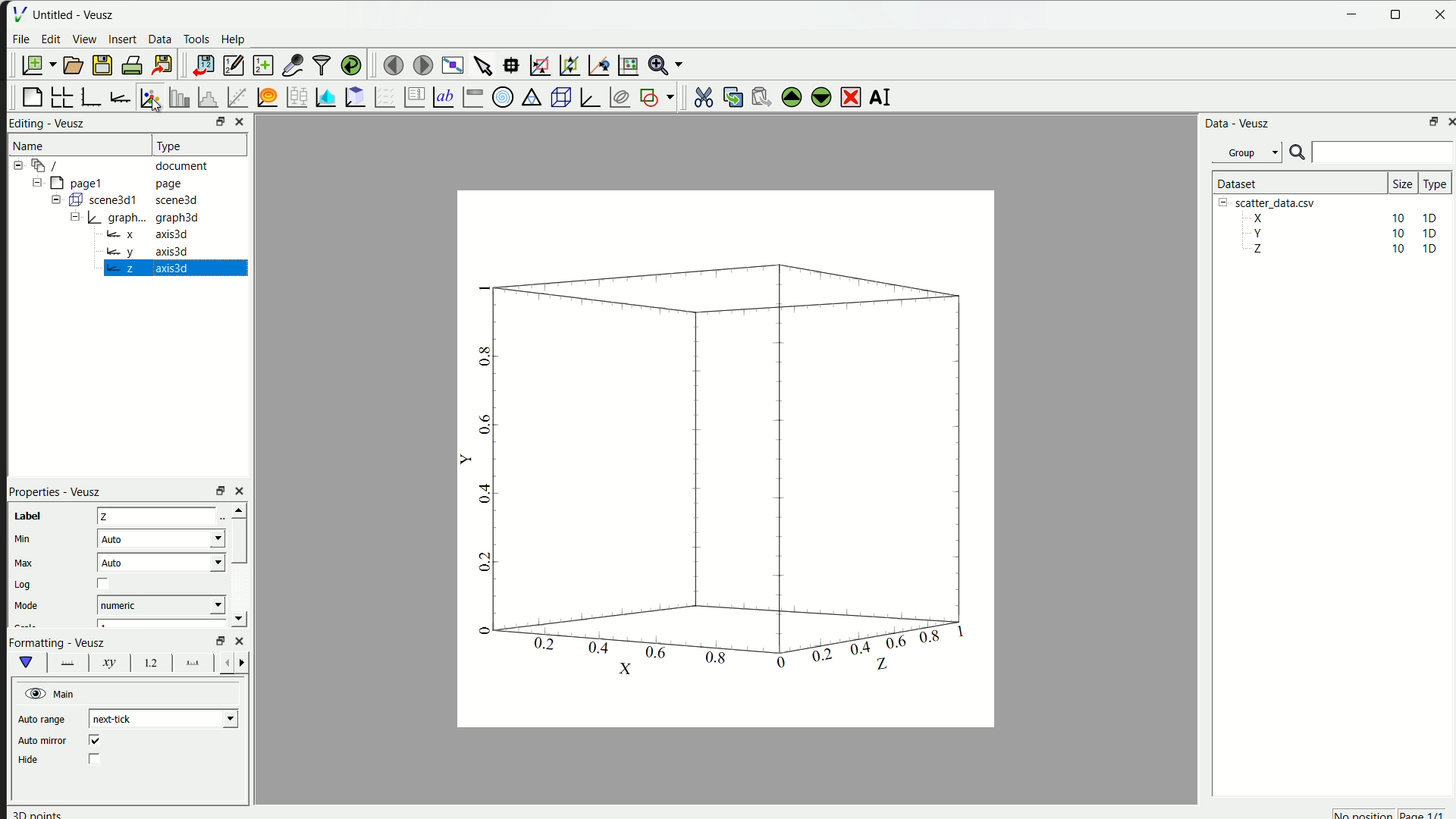  What do you see at coordinates (319, 64) in the screenshot?
I see `filter data` at bounding box center [319, 64].